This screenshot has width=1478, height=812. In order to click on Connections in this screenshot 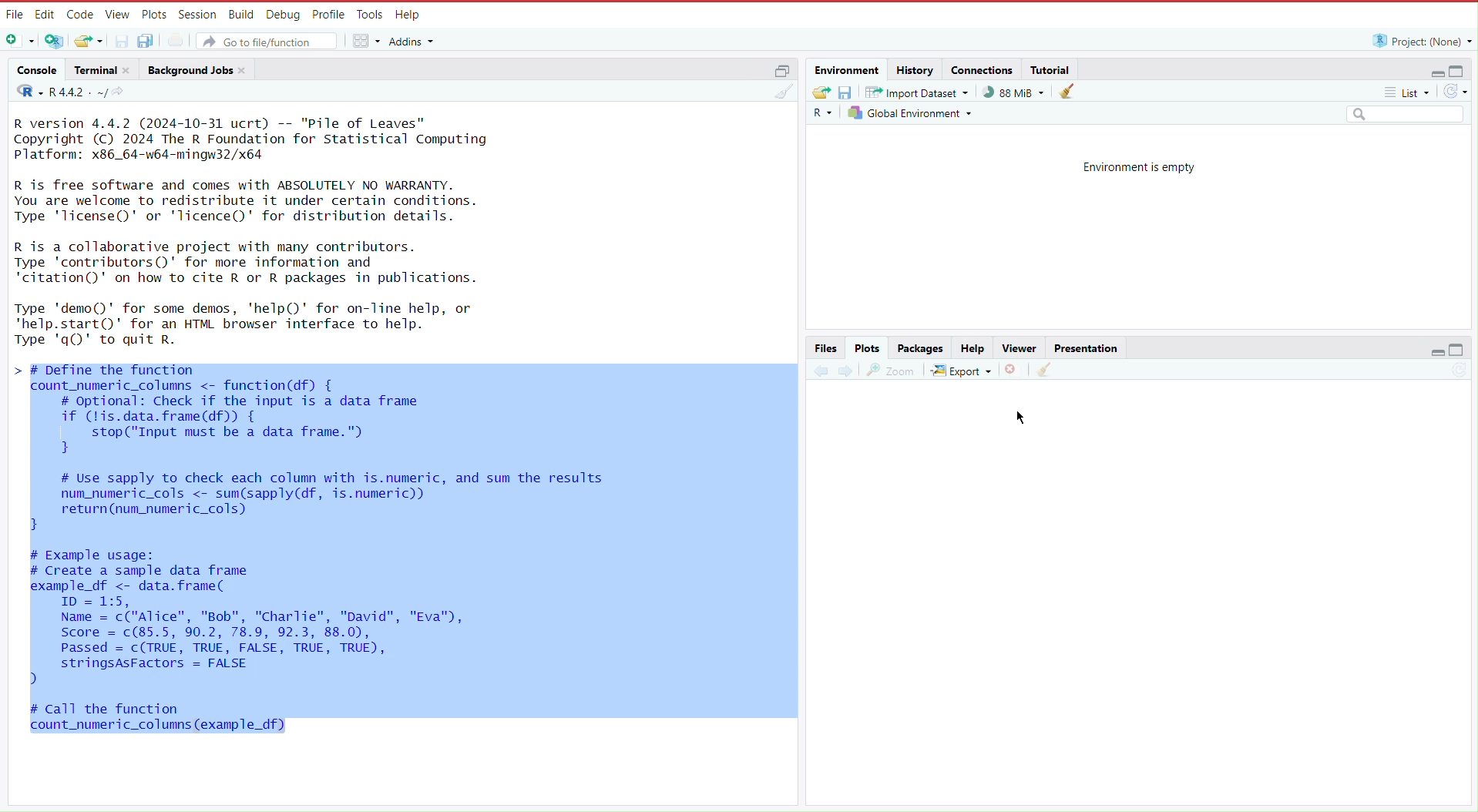, I will do `click(983, 69)`.